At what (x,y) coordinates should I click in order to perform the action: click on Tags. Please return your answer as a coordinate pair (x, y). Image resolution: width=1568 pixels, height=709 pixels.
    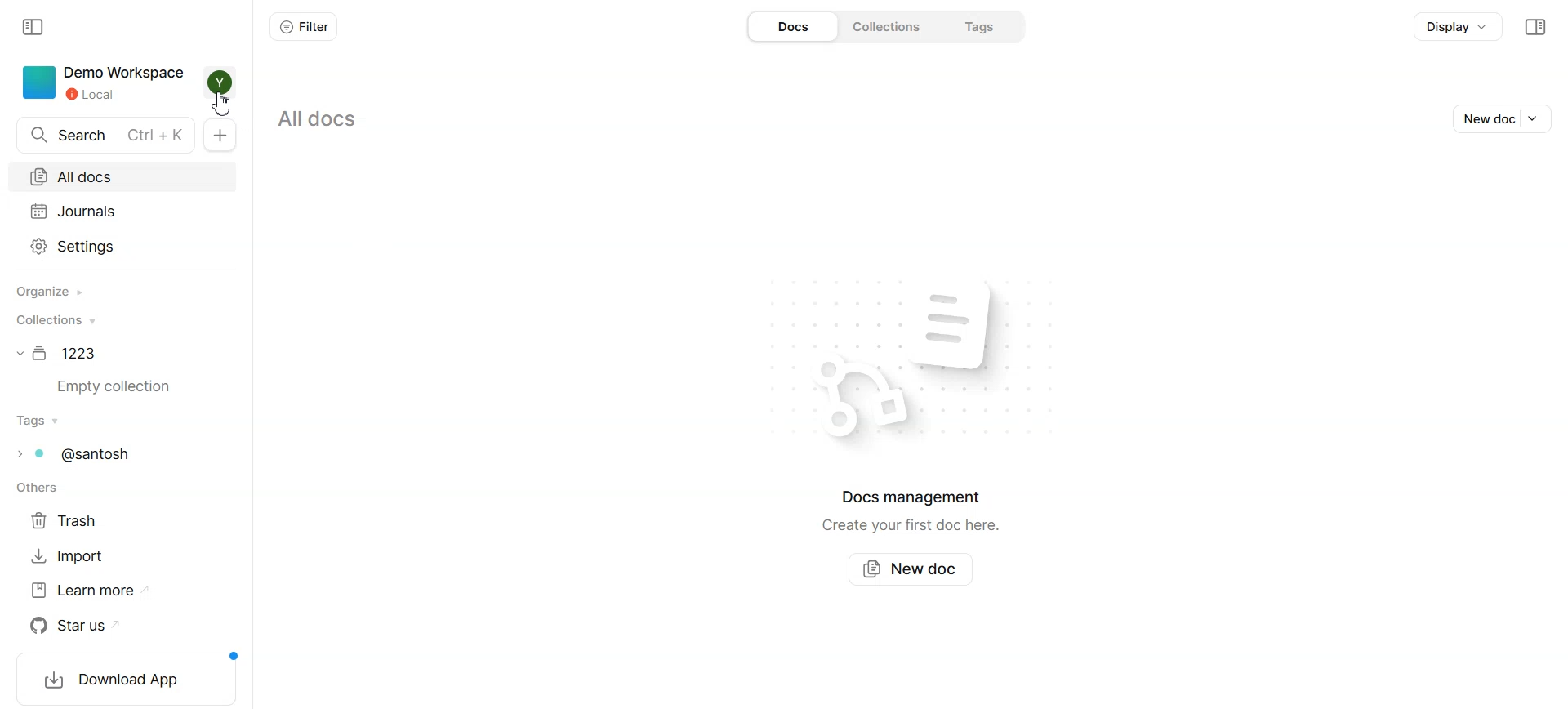
    Looking at the image, I should click on (38, 421).